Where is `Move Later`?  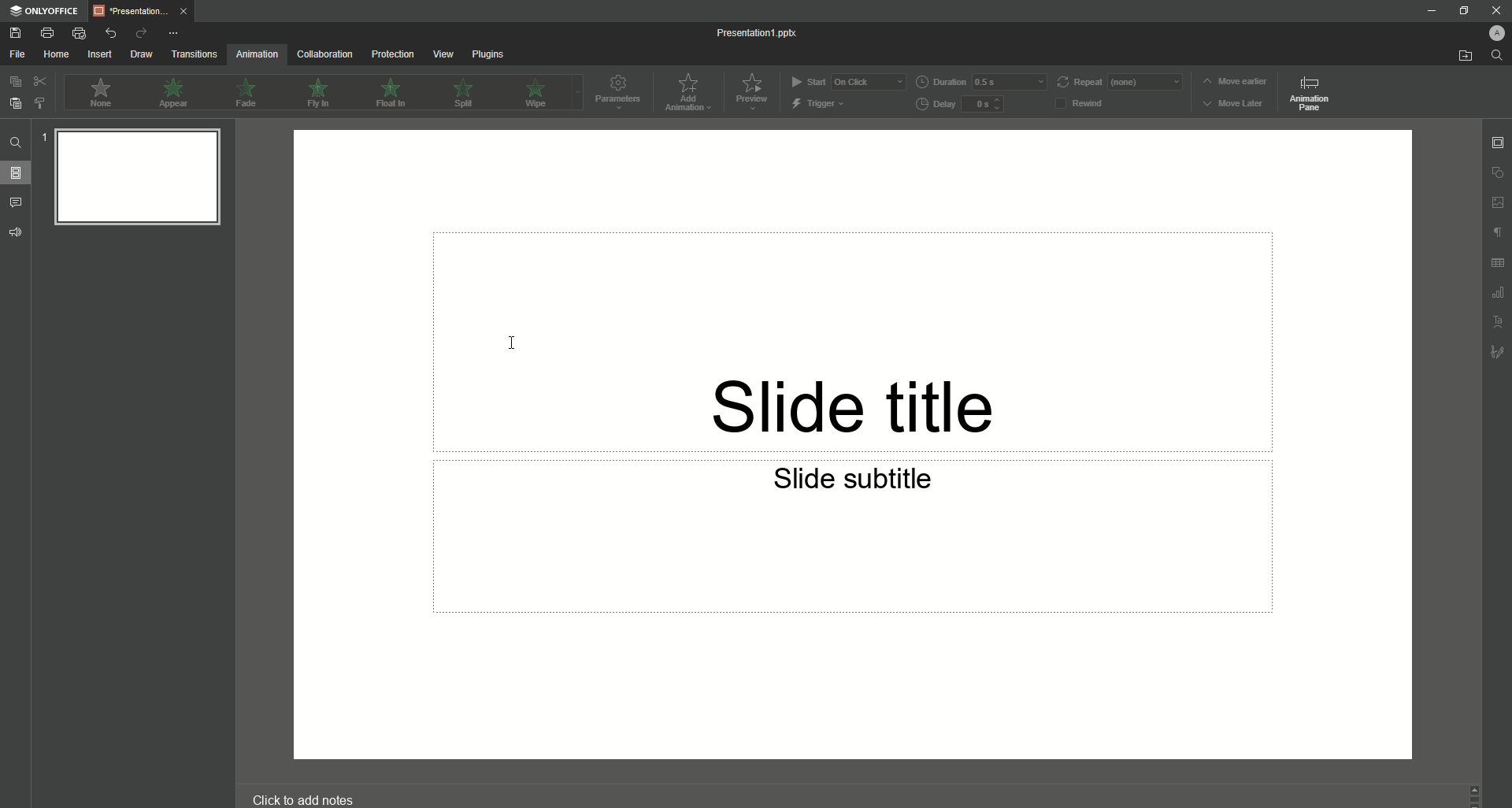
Move Later is located at coordinates (1234, 105).